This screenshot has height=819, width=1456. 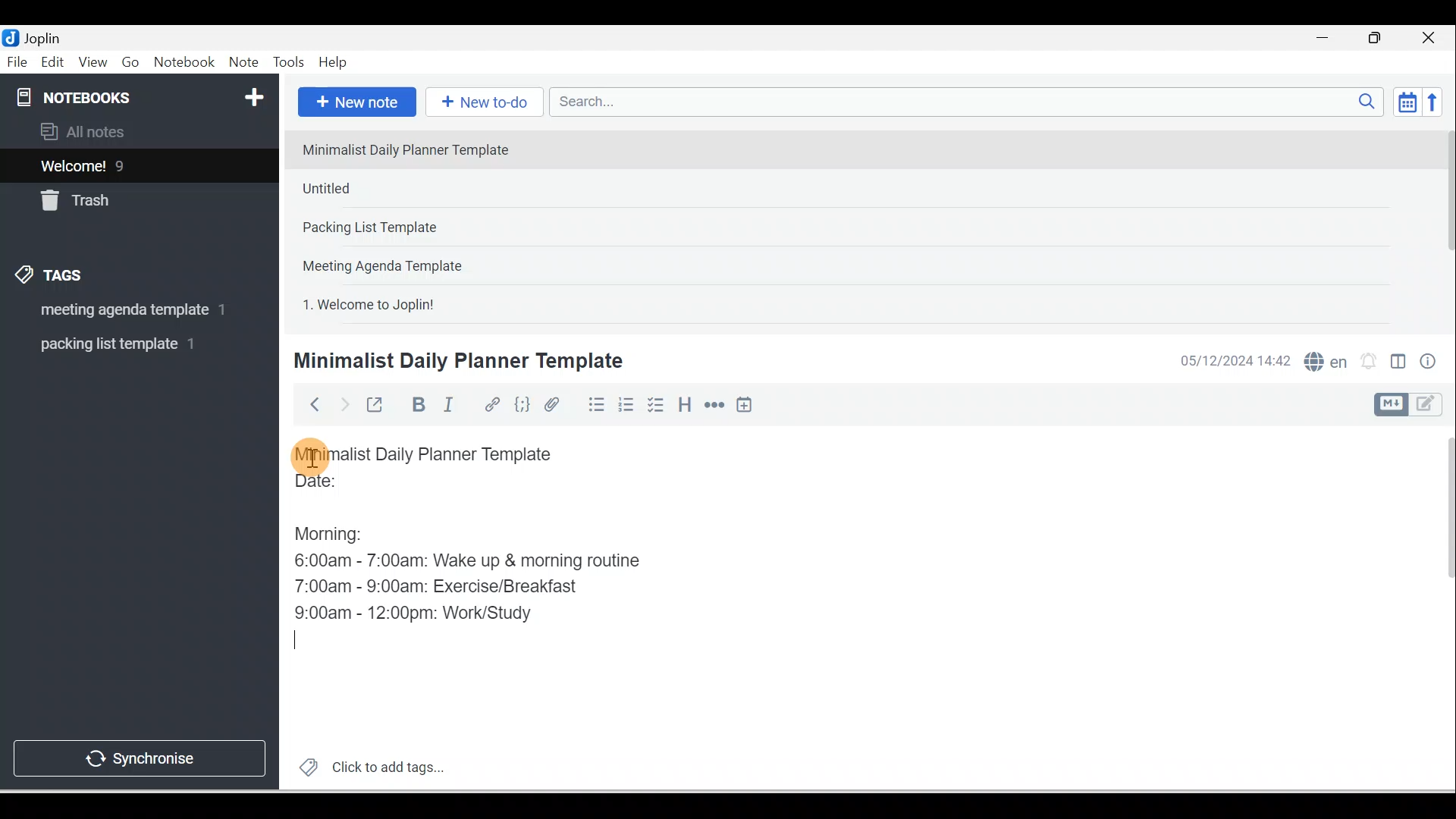 What do you see at coordinates (424, 303) in the screenshot?
I see `Note 5` at bounding box center [424, 303].